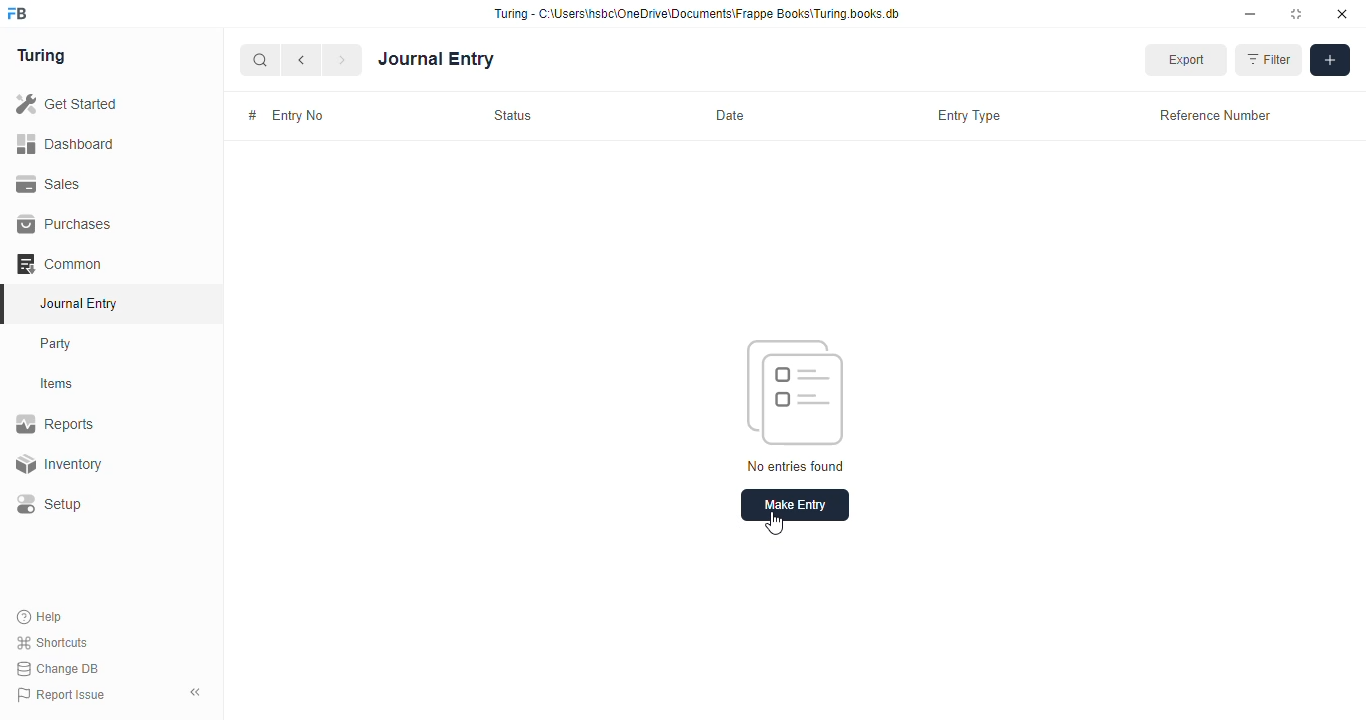 Image resolution: width=1366 pixels, height=720 pixels. Describe the element at coordinates (1269, 60) in the screenshot. I see `filter` at that location.